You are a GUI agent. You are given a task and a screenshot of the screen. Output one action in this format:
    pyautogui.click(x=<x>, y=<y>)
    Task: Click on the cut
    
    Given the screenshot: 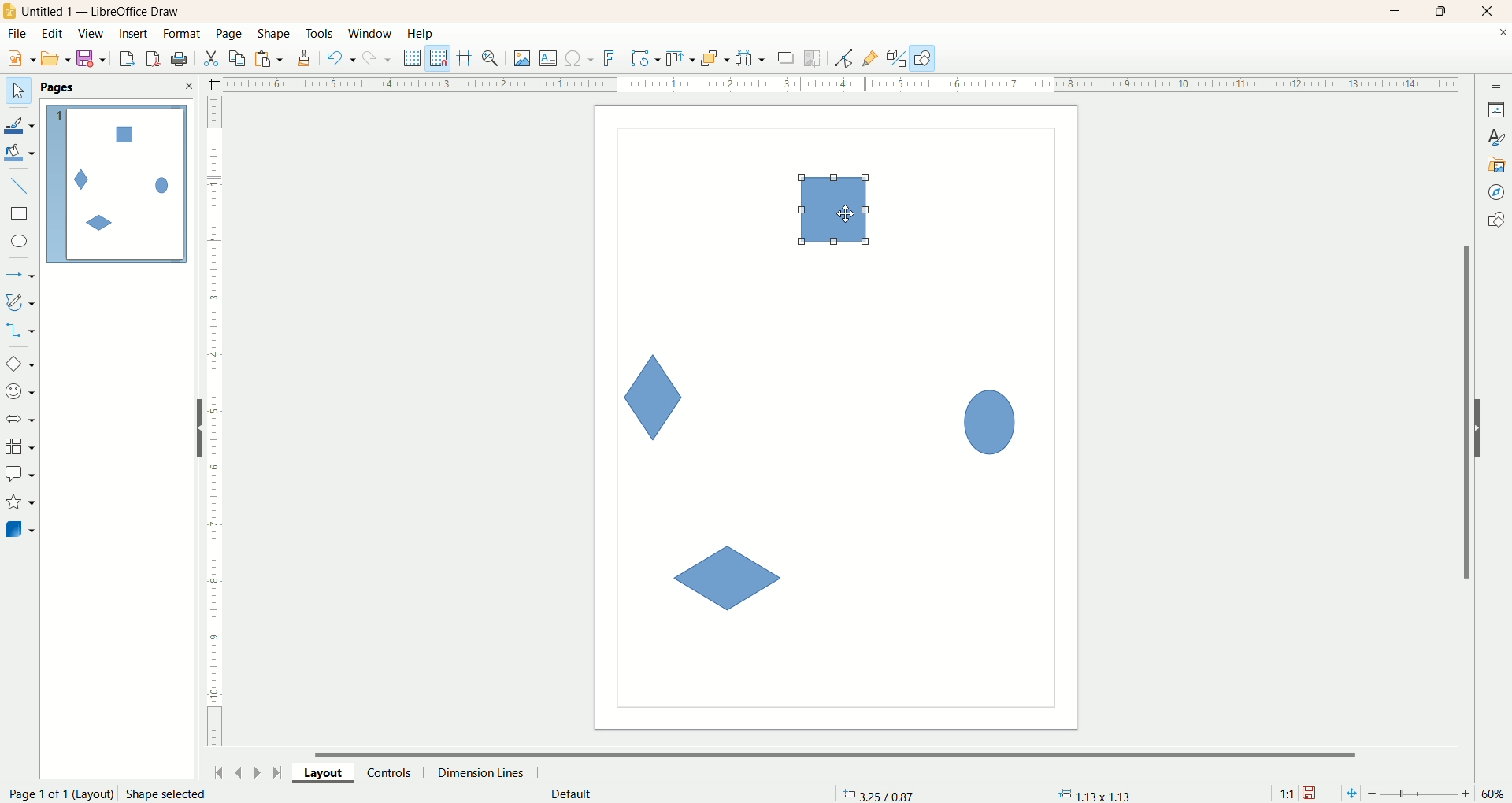 What is the action you would take?
    pyautogui.click(x=210, y=58)
    